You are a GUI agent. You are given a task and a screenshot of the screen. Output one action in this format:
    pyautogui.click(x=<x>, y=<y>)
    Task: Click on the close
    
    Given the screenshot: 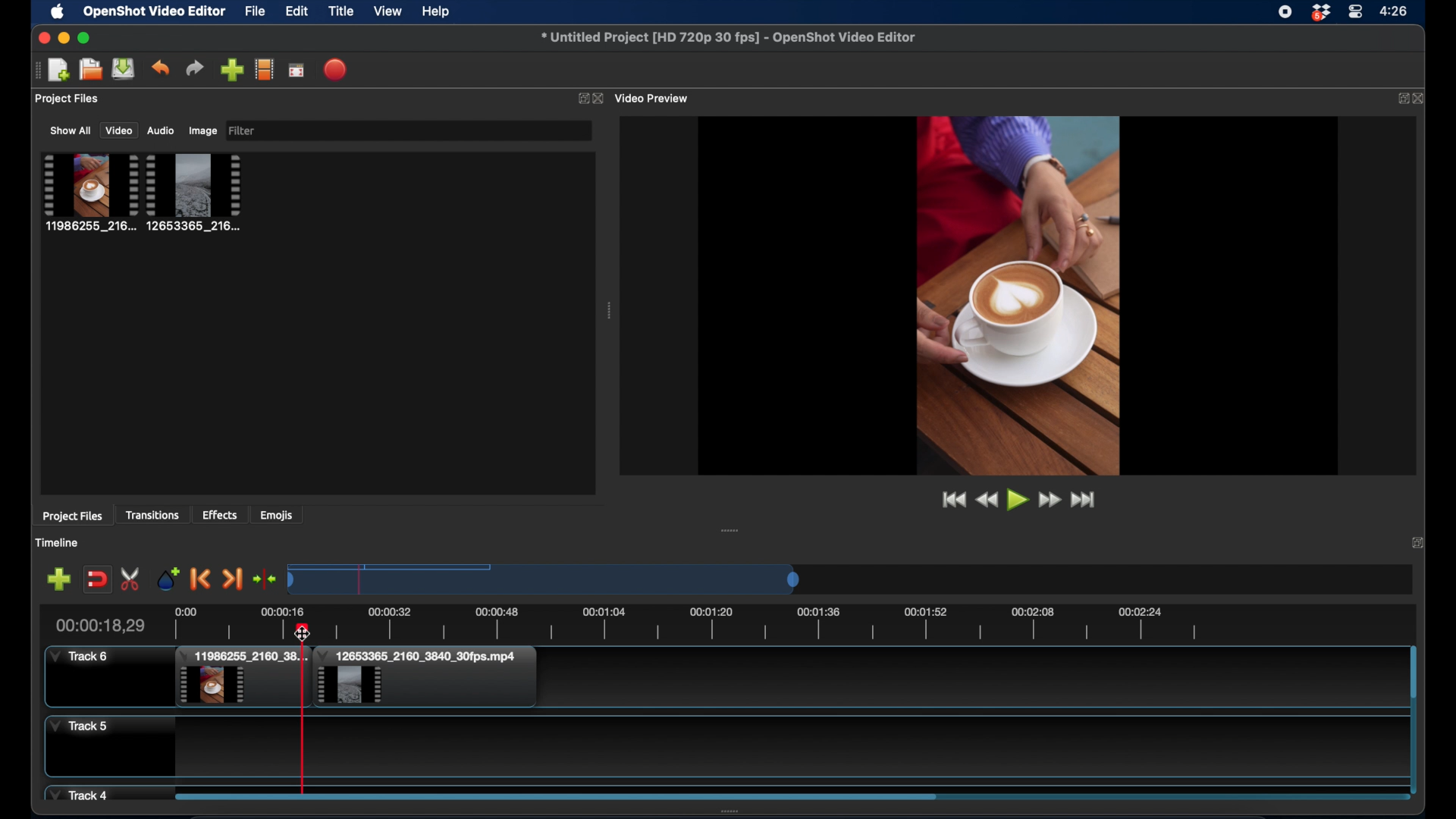 What is the action you would take?
    pyautogui.click(x=1422, y=98)
    